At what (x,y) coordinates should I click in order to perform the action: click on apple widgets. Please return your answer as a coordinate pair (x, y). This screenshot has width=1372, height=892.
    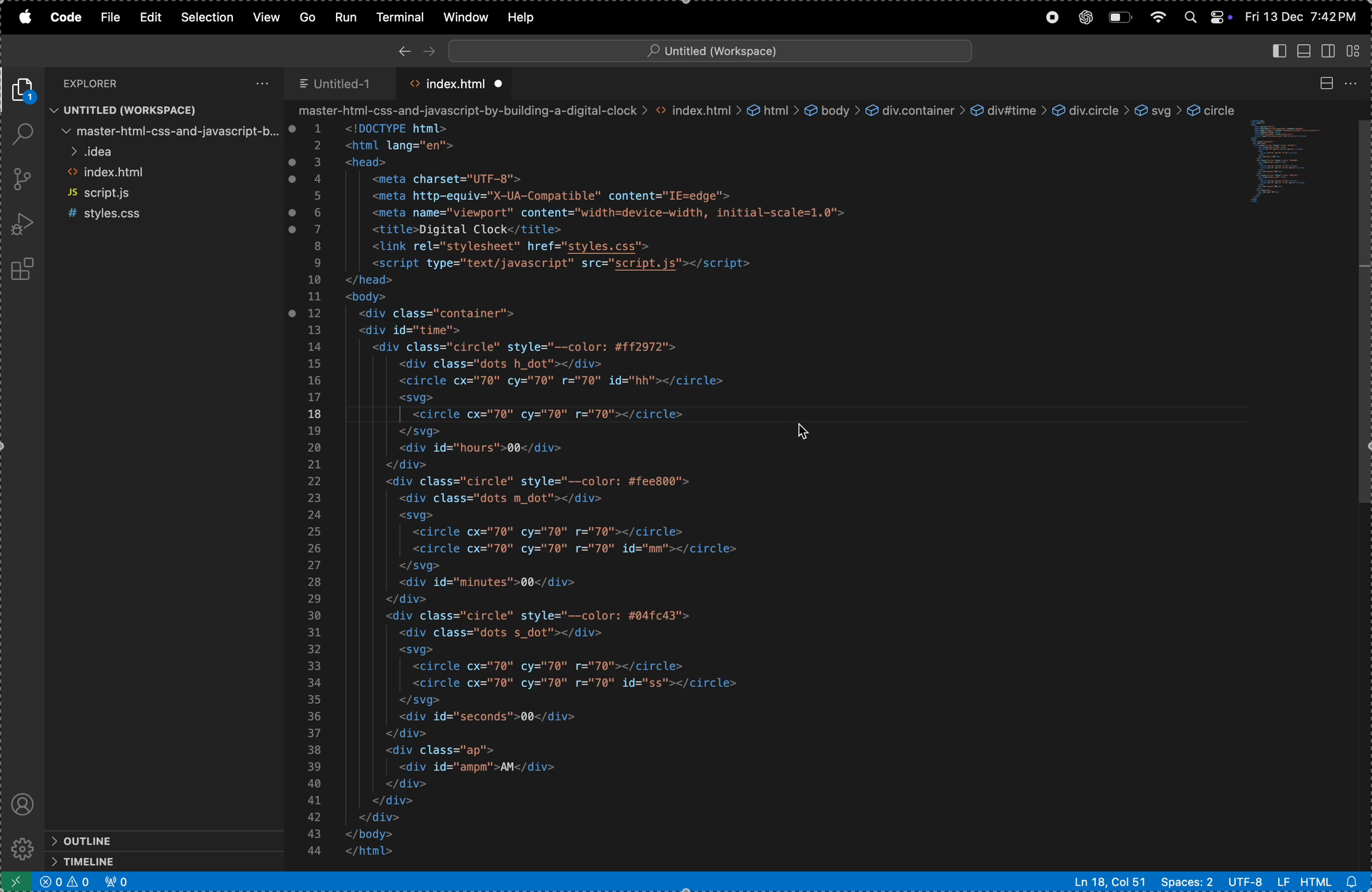
    Looking at the image, I should click on (1207, 14).